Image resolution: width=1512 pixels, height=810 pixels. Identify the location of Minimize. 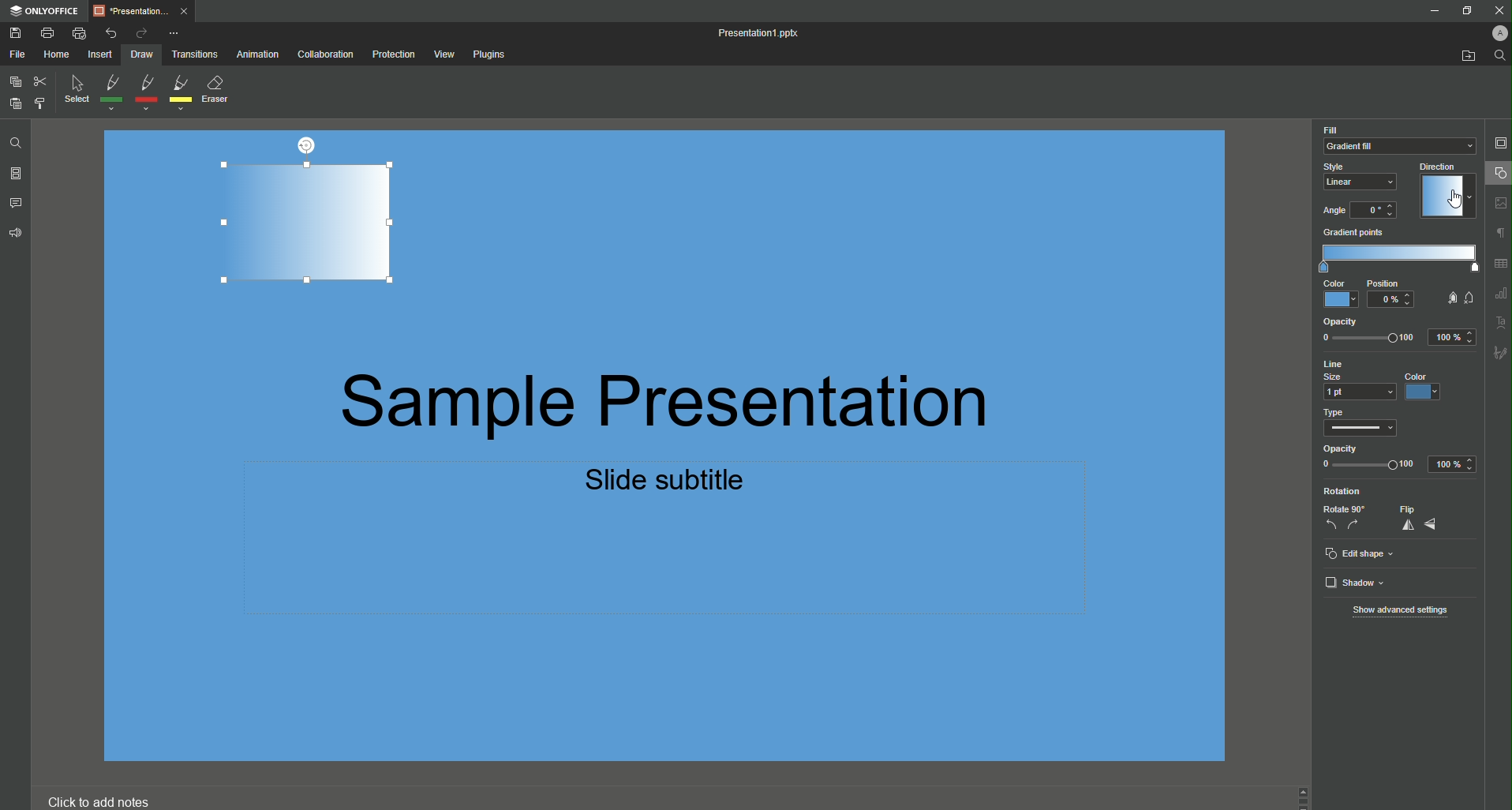
(1434, 11).